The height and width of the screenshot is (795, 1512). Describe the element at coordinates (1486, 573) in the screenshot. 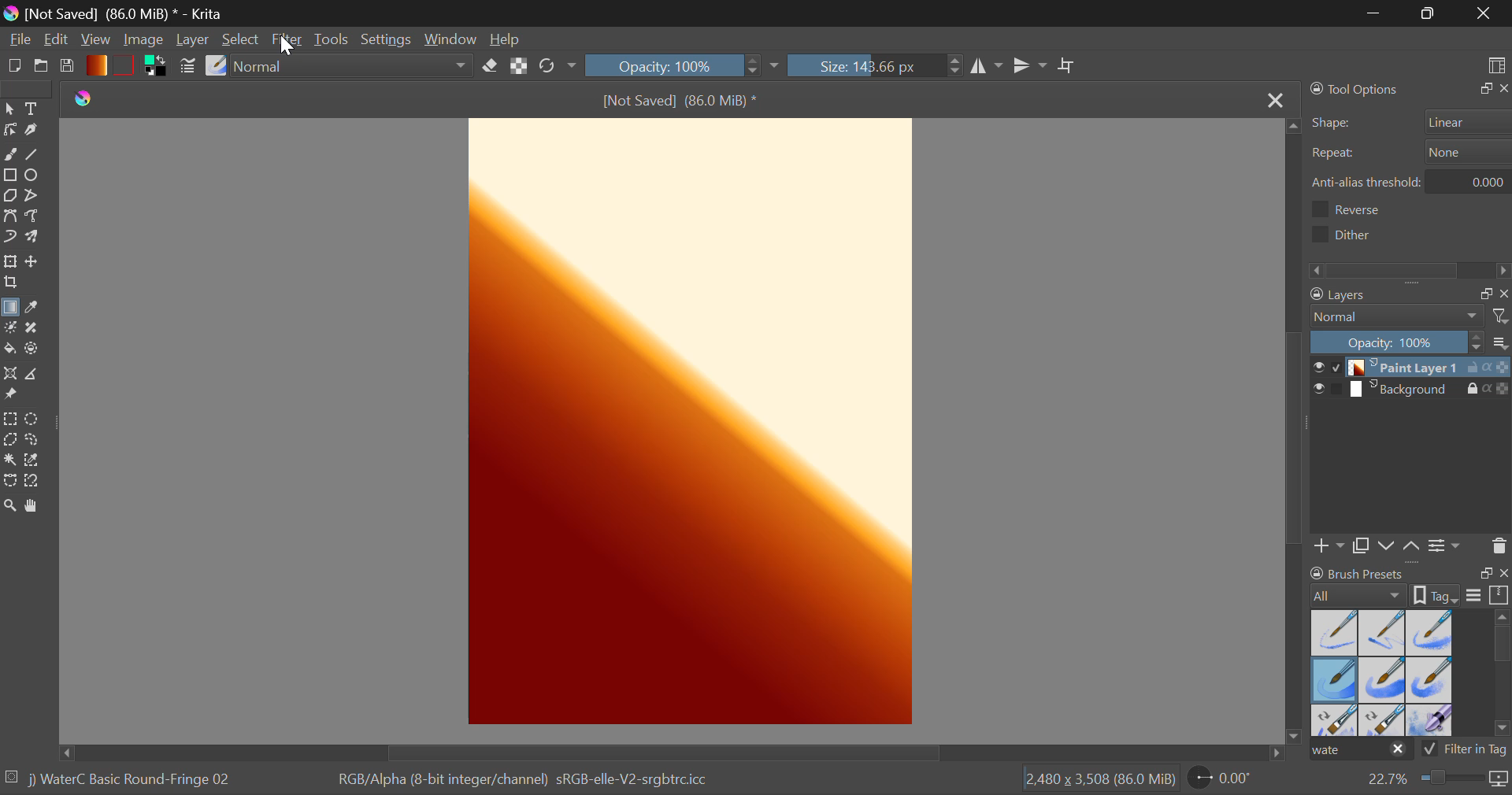

I see `expand` at that location.